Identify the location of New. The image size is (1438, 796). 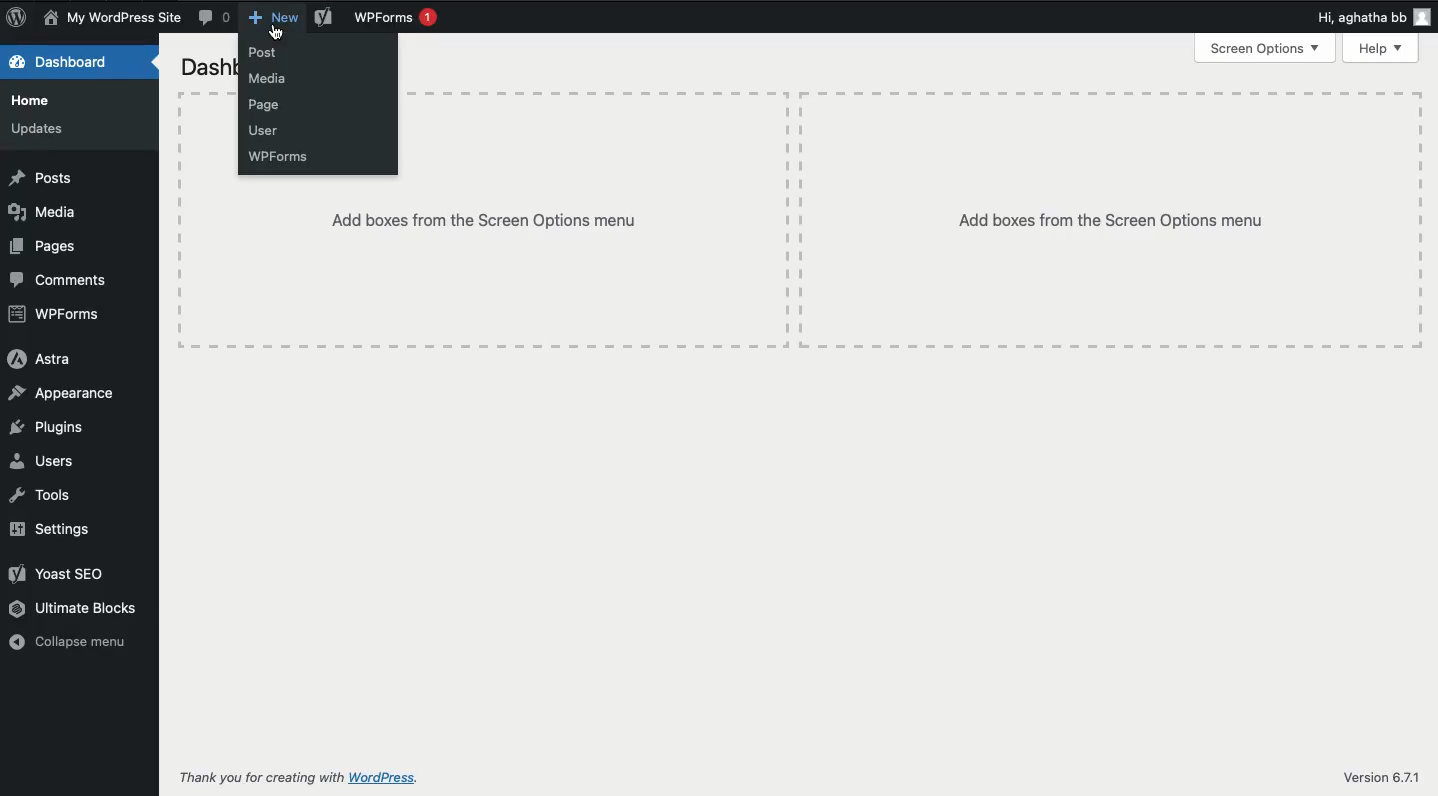
(275, 18).